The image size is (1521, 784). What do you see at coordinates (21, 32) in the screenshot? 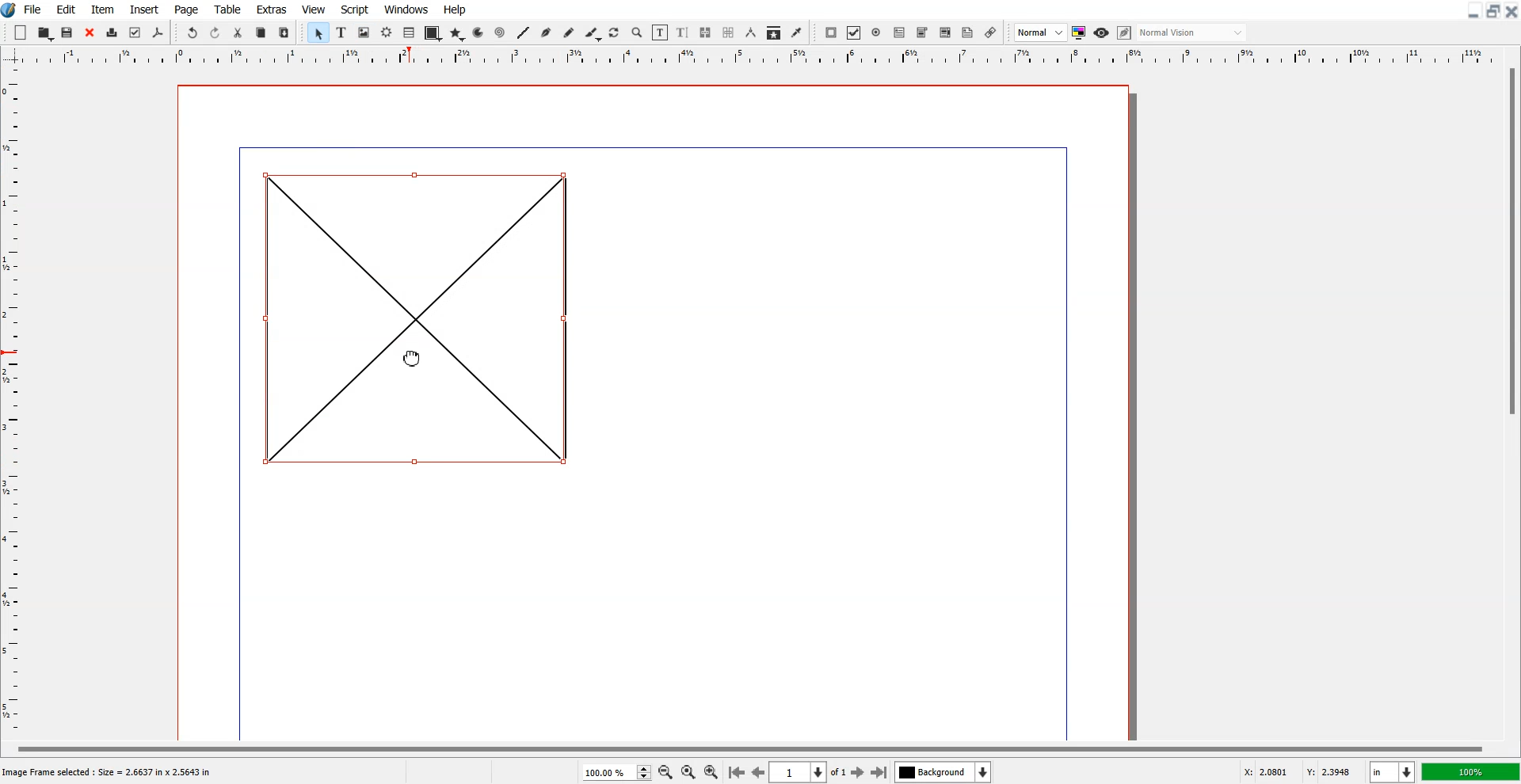
I see `Add` at bounding box center [21, 32].